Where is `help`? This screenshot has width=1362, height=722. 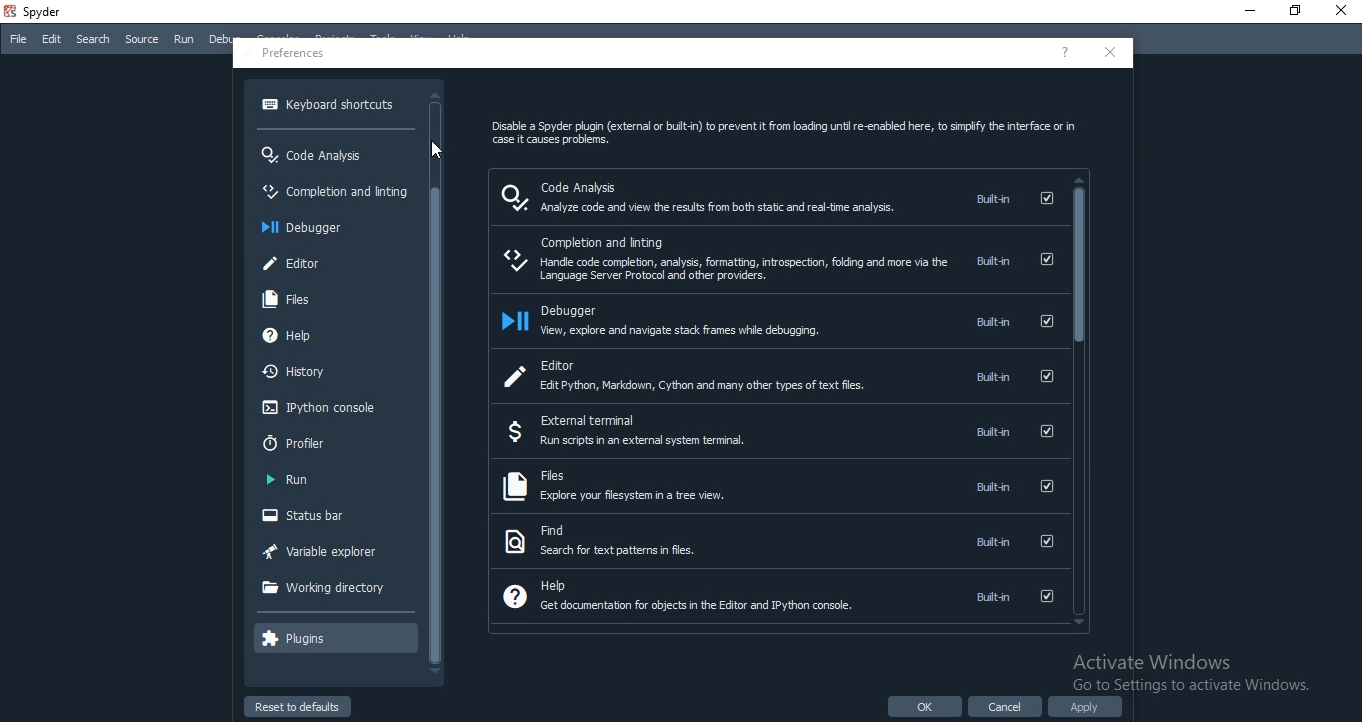 help is located at coordinates (335, 339).